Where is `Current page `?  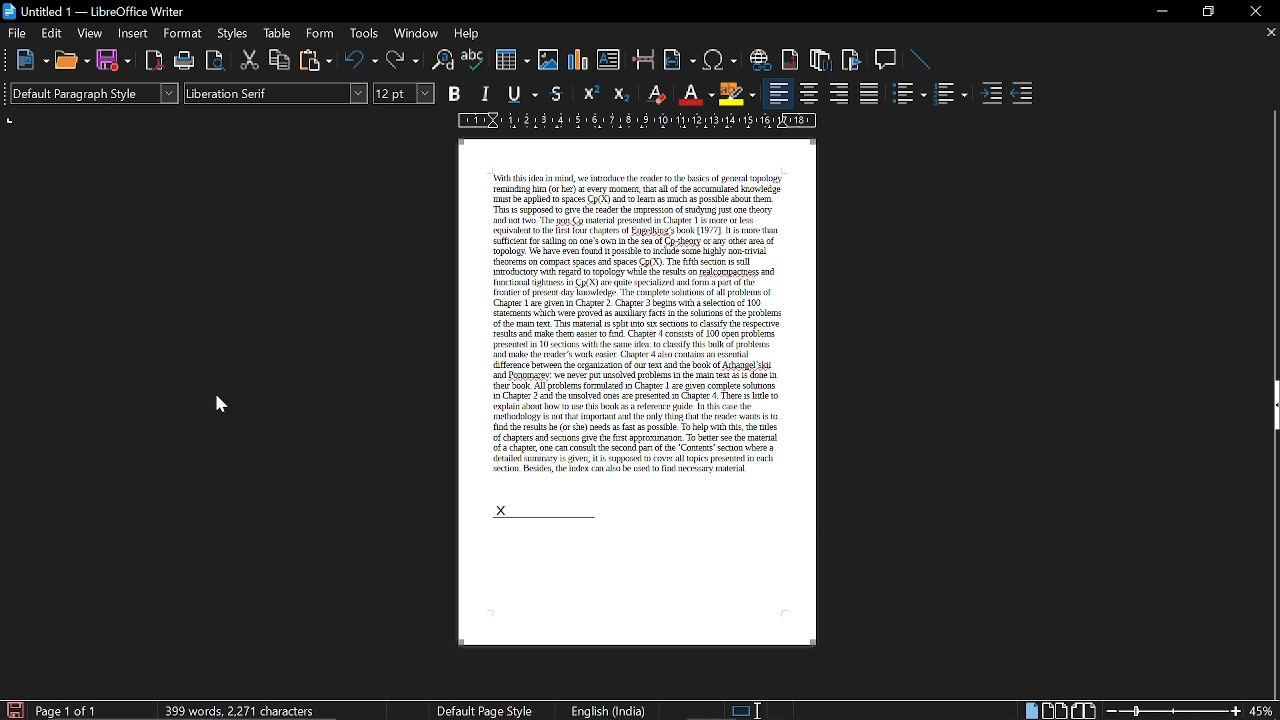 Current page  is located at coordinates (630, 306).